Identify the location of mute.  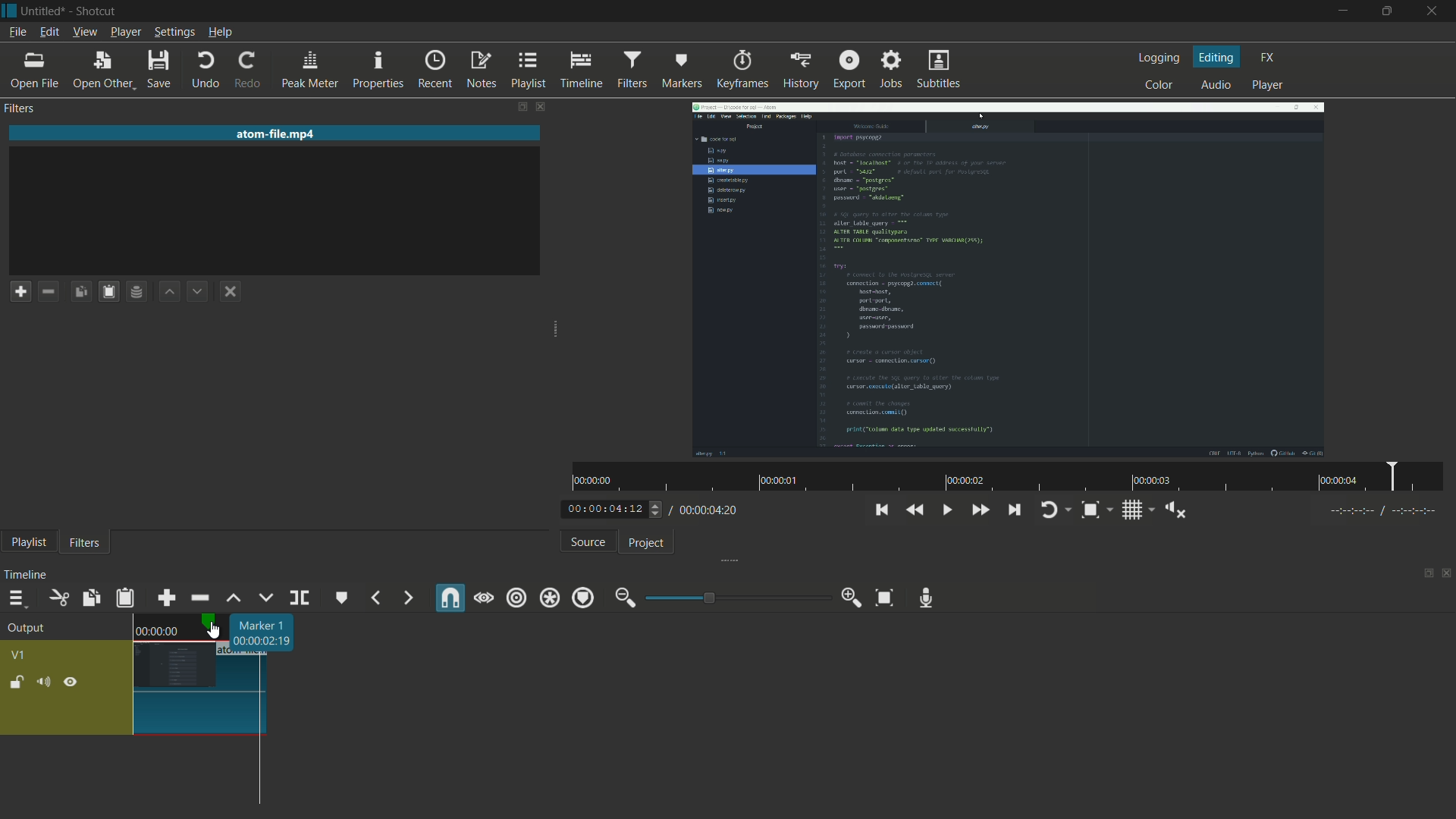
(46, 682).